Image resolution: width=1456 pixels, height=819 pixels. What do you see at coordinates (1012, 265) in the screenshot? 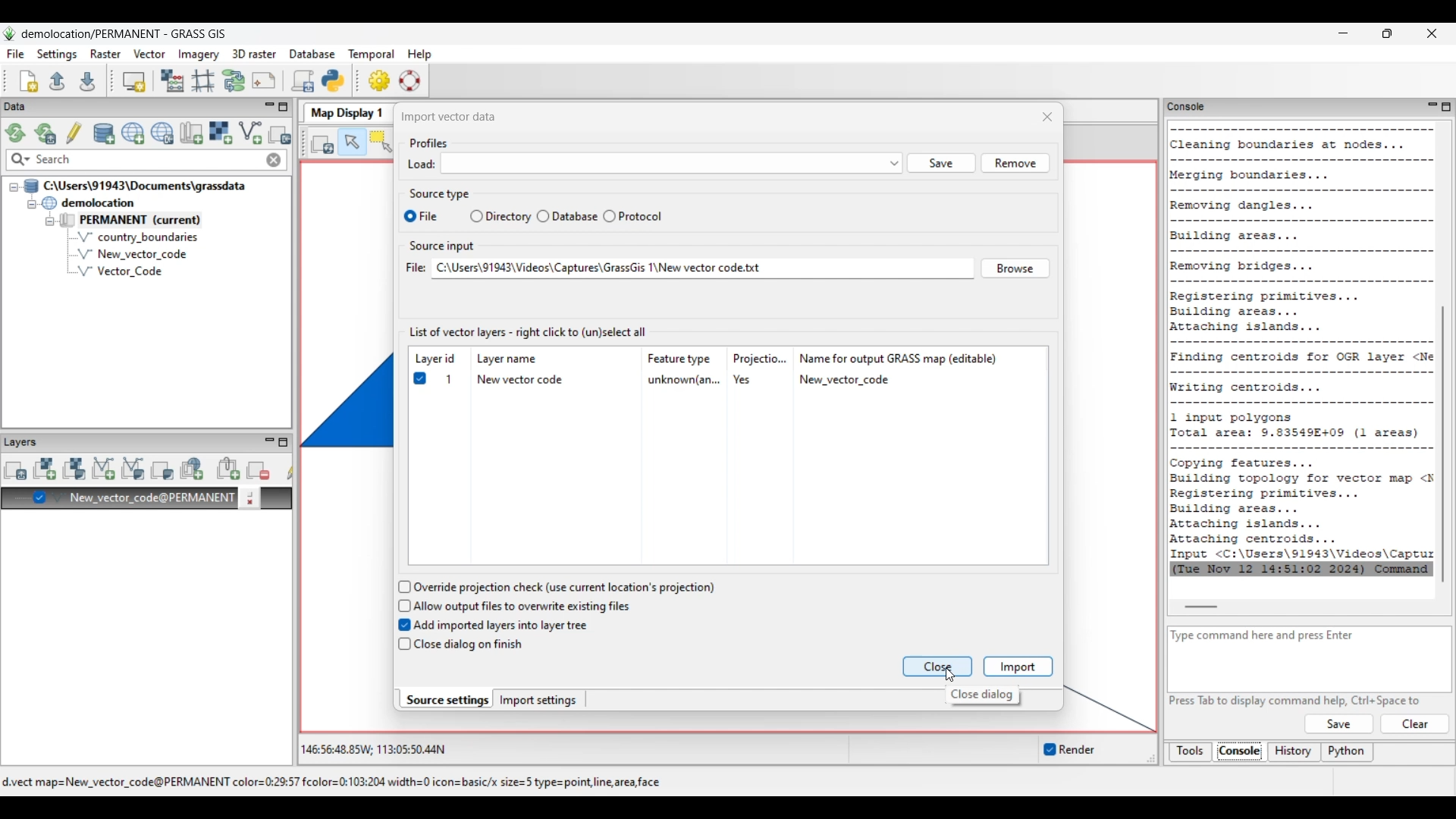
I see `Browse` at bounding box center [1012, 265].